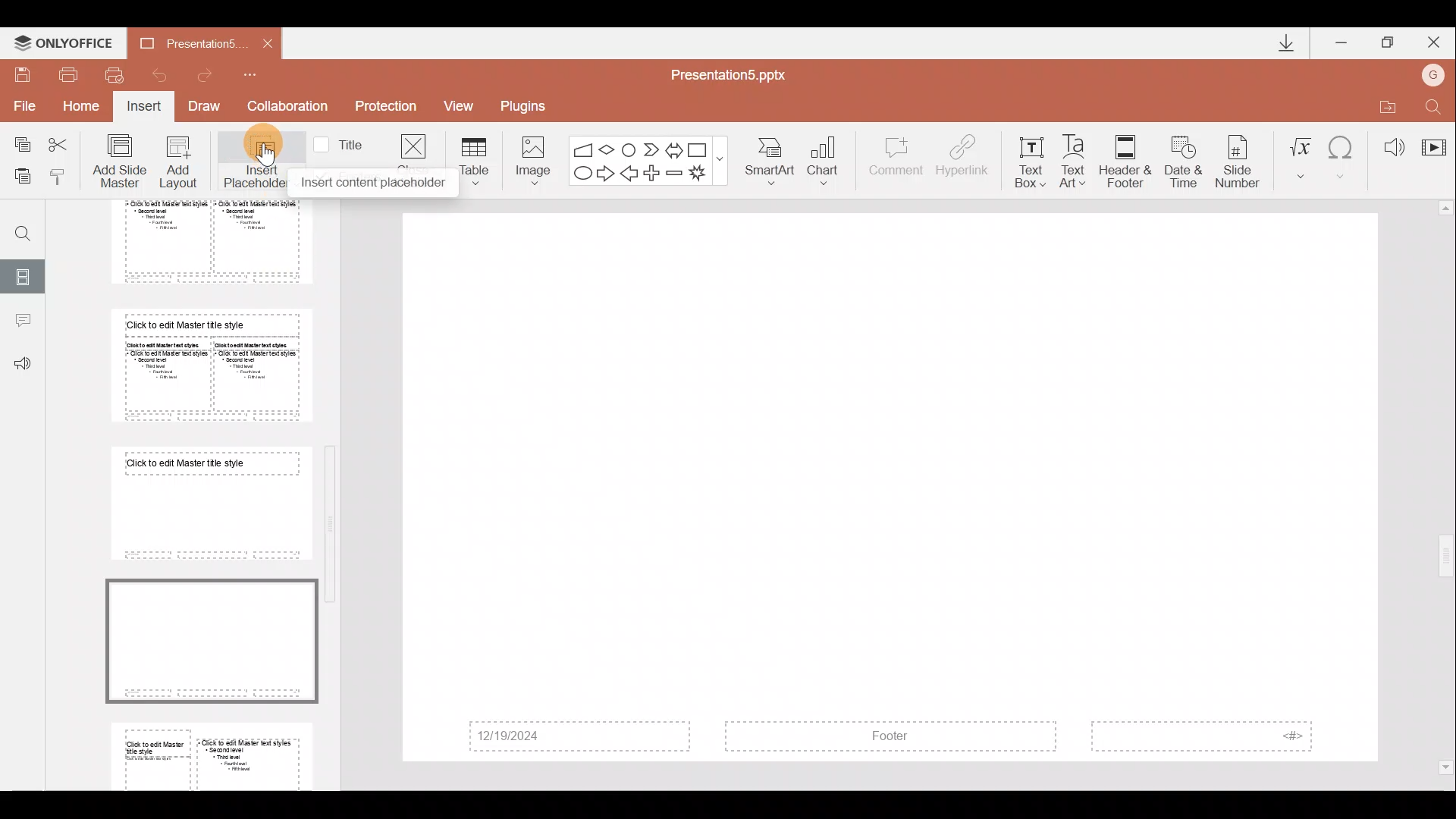  I want to click on Copy style, so click(64, 176).